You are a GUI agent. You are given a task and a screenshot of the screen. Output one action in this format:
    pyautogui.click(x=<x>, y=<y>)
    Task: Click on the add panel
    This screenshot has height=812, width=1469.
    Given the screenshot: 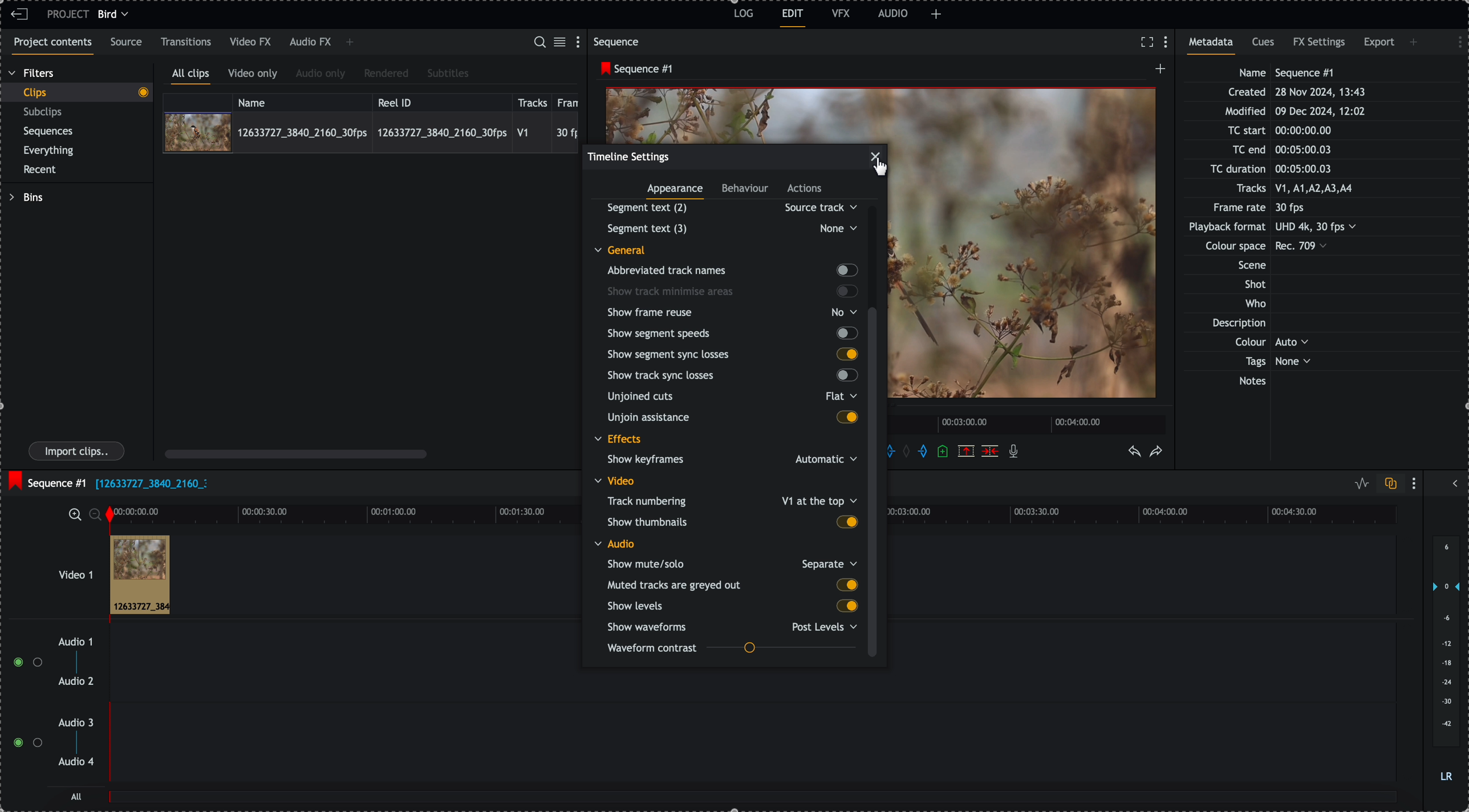 What is the action you would take?
    pyautogui.click(x=1415, y=42)
    